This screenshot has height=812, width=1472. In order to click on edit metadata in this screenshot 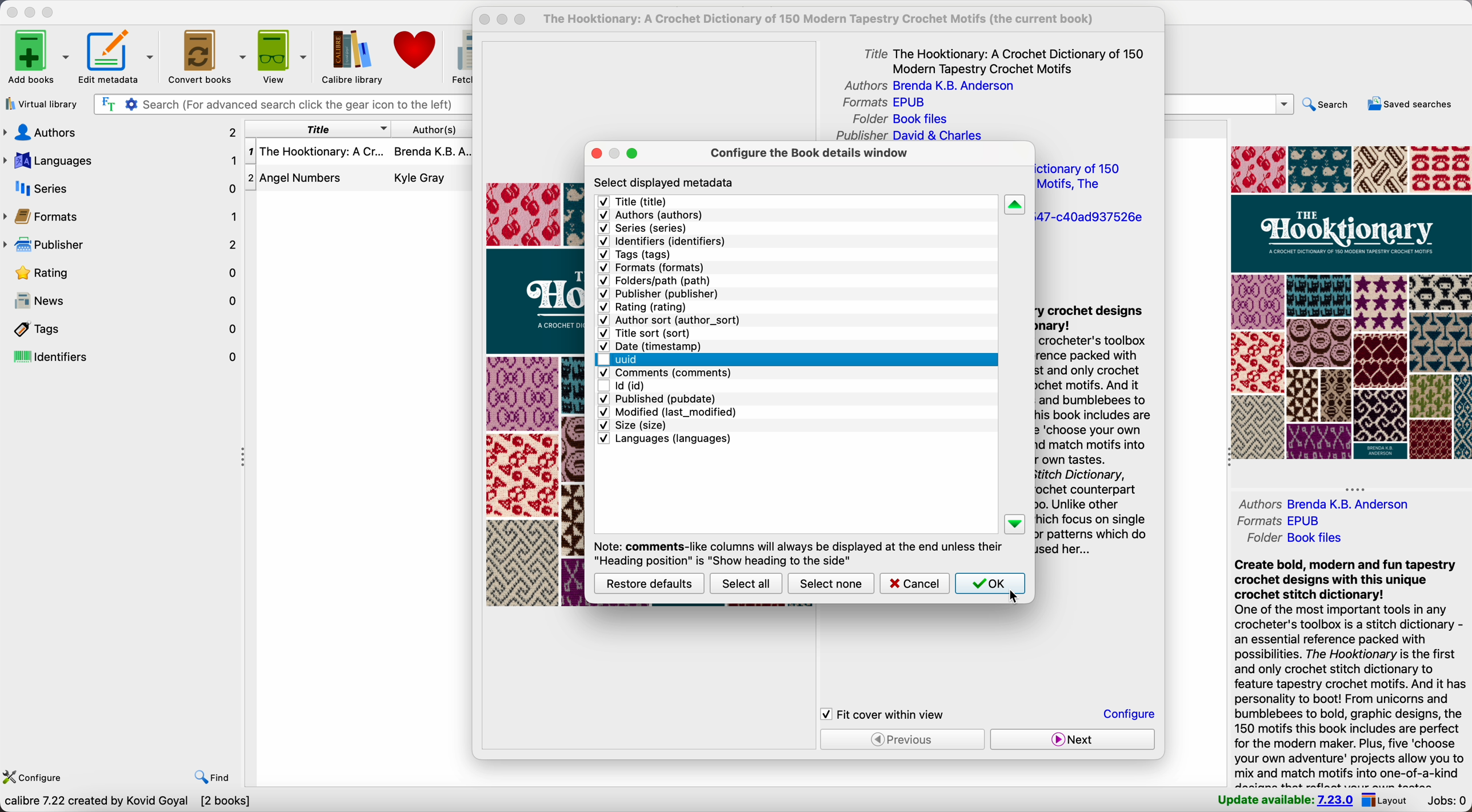, I will do `click(117, 58)`.